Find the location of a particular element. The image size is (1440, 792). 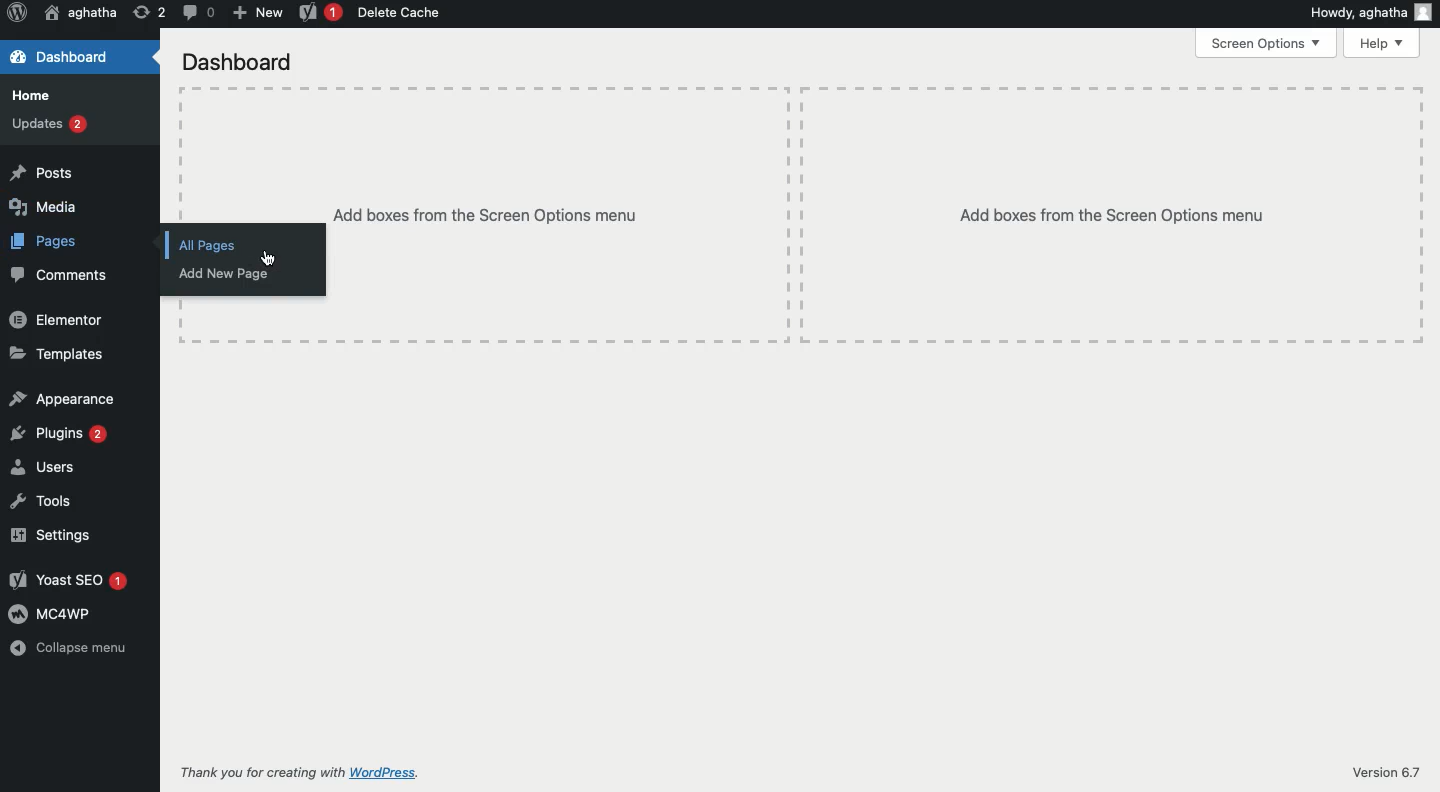

Delete cache is located at coordinates (400, 13).